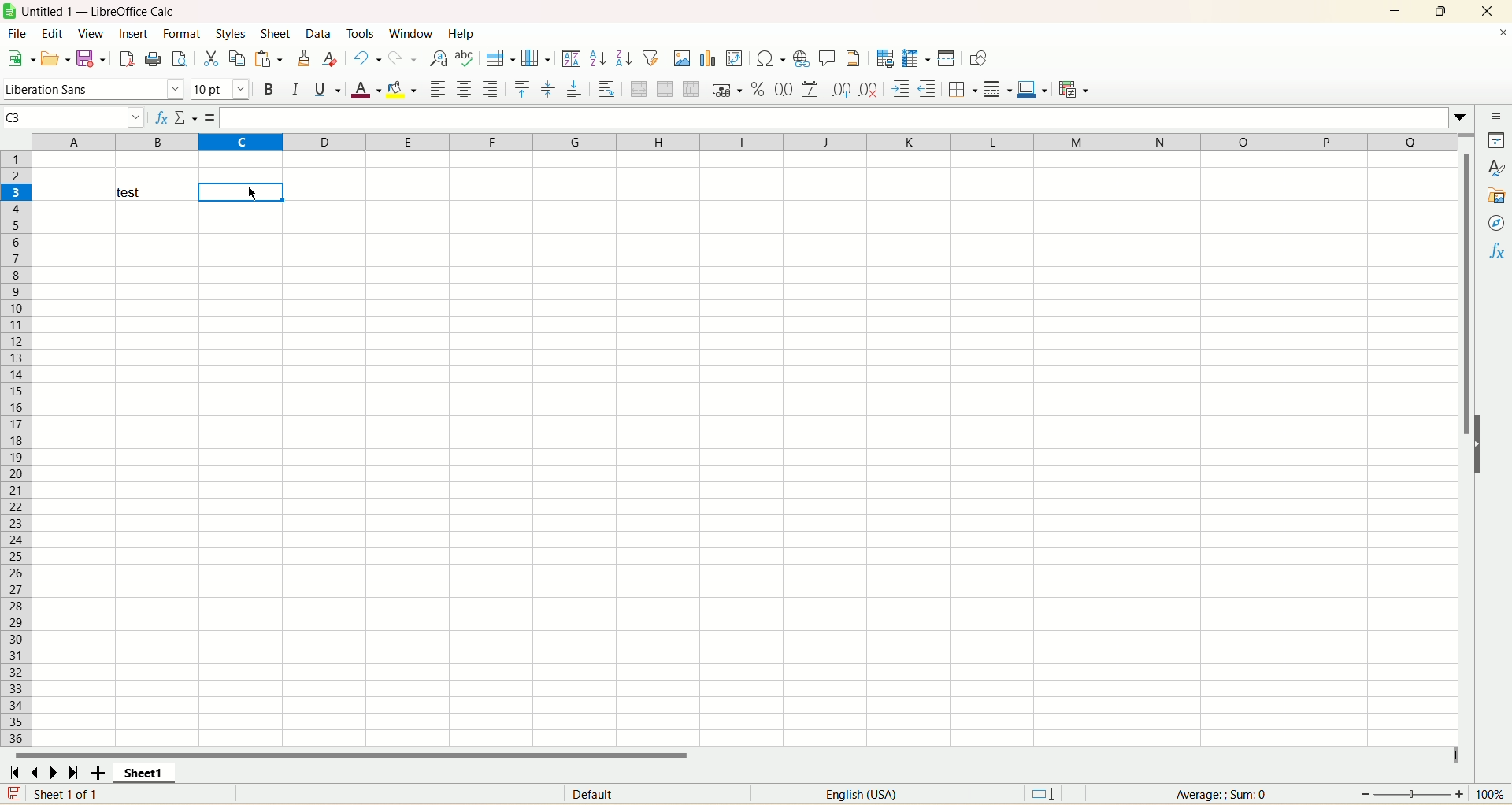 The height and width of the screenshot is (805, 1512). Describe the element at coordinates (181, 33) in the screenshot. I see `format` at that location.